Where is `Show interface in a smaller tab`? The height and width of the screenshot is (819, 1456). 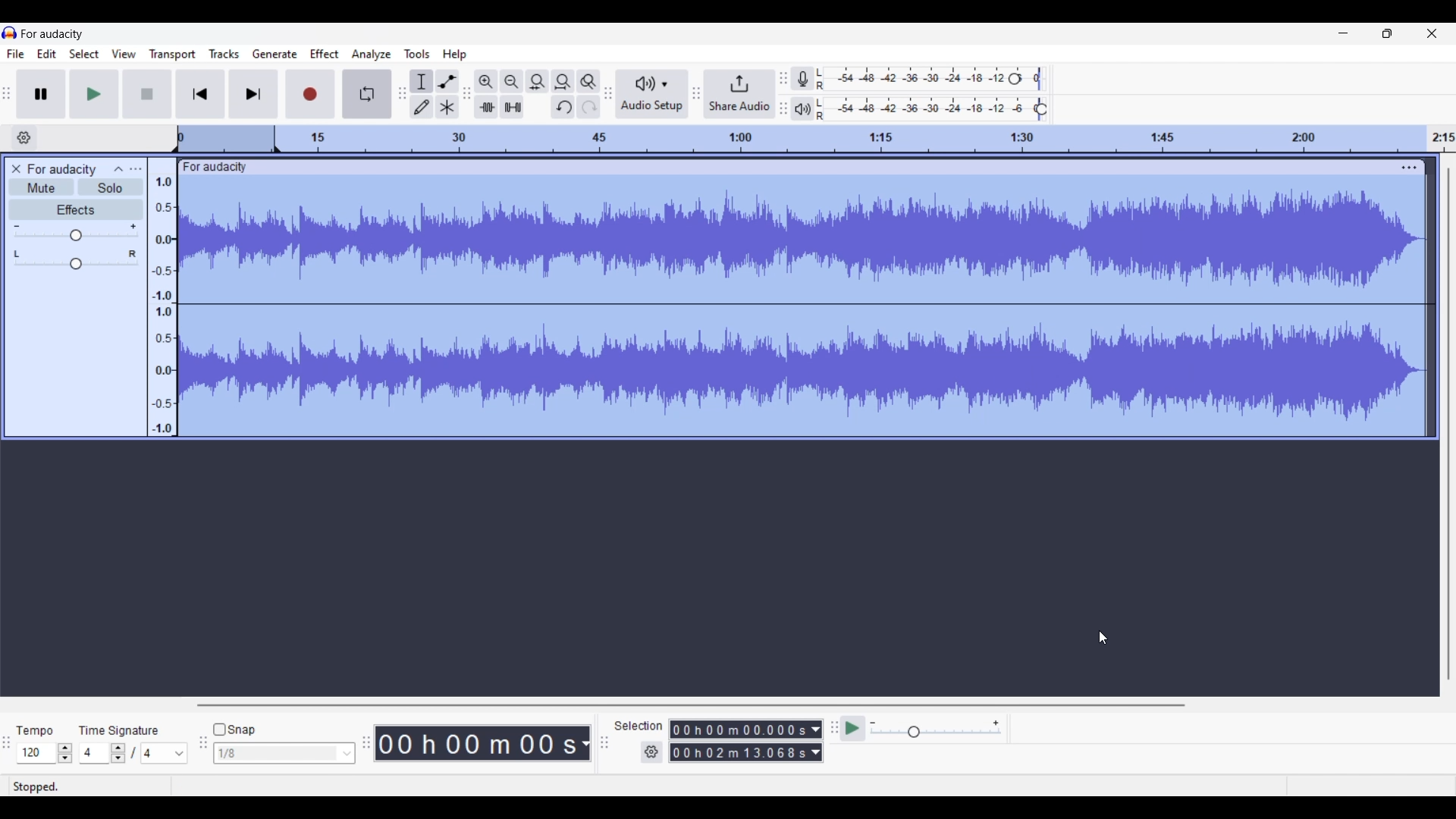
Show interface in a smaller tab is located at coordinates (1387, 33).